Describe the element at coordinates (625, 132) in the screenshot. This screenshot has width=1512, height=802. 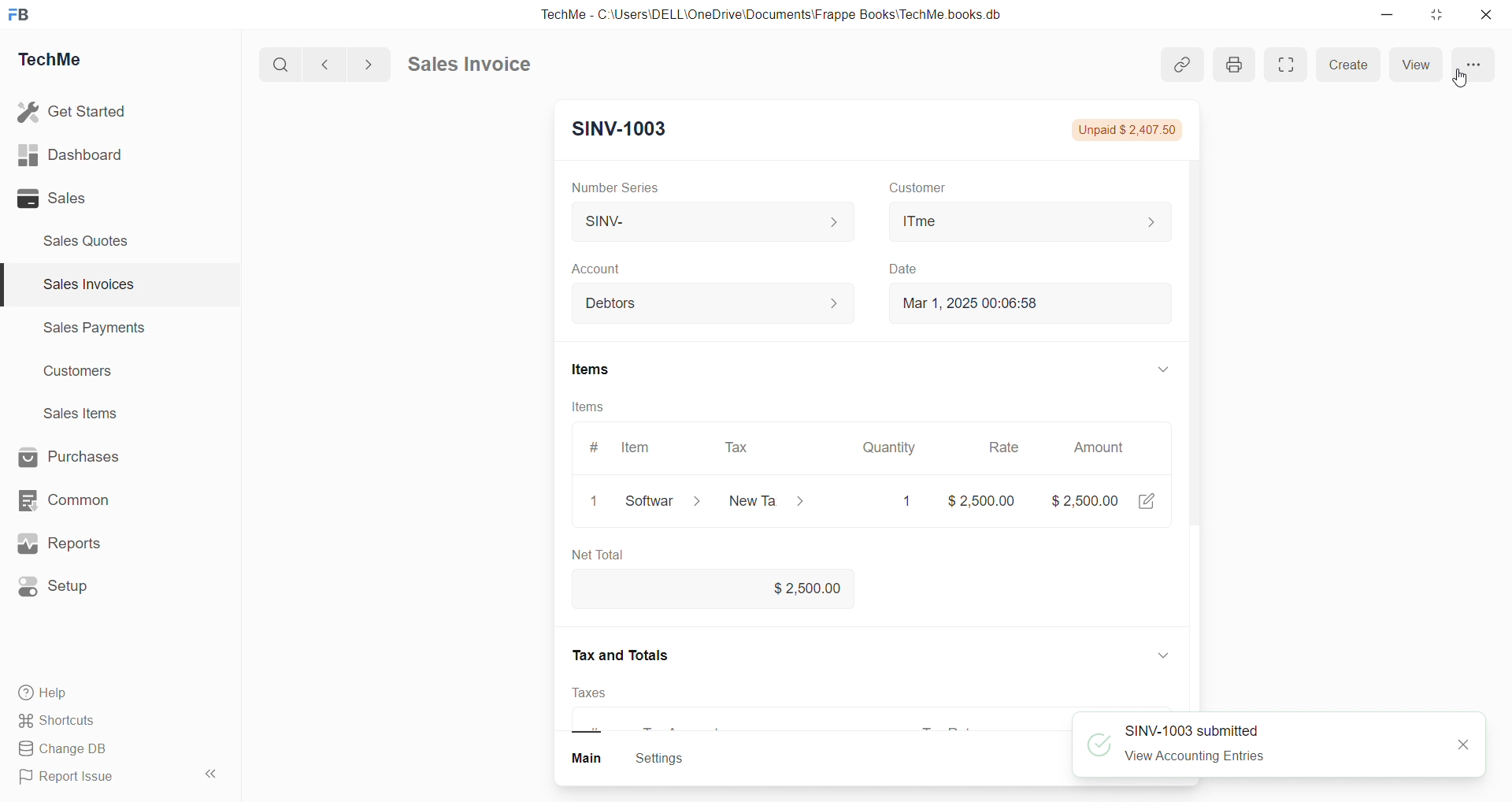
I see `SINV-1003` at that location.